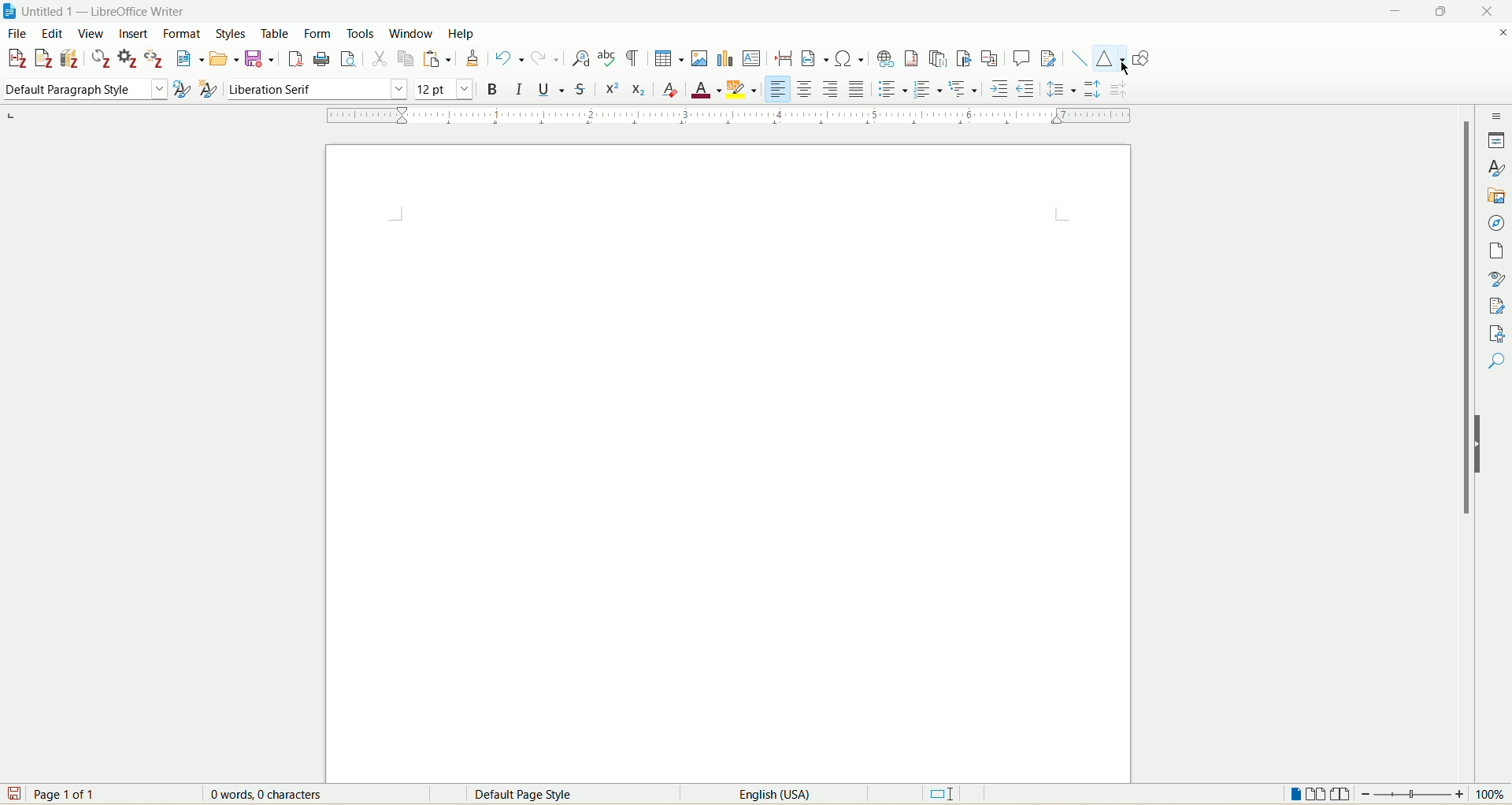 Image resolution: width=1512 pixels, height=805 pixels. What do you see at coordinates (1121, 71) in the screenshot?
I see `Cursor` at bounding box center [1121, 71].